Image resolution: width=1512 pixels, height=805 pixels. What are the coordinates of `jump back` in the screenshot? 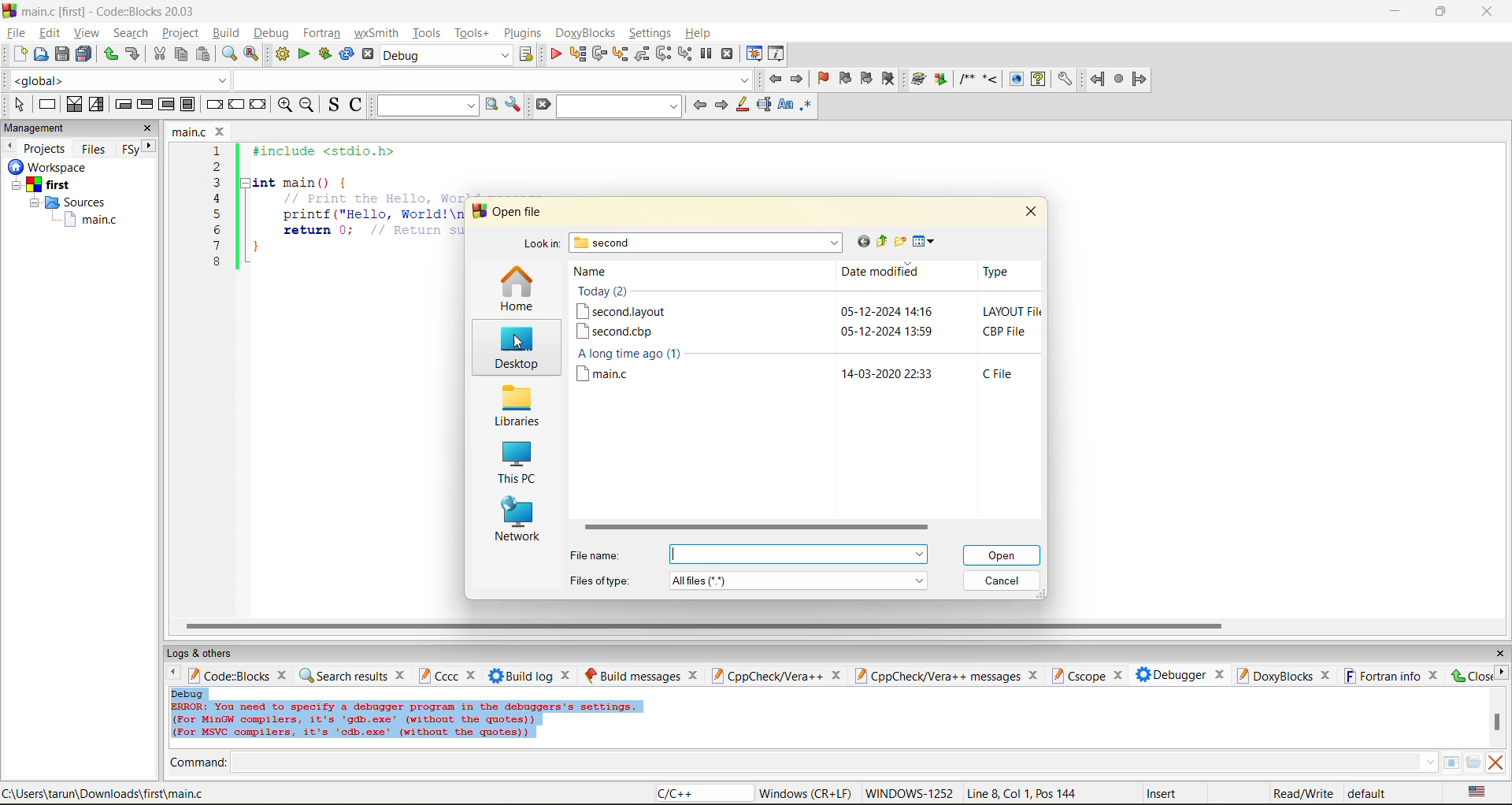 It's located at (773, 79).